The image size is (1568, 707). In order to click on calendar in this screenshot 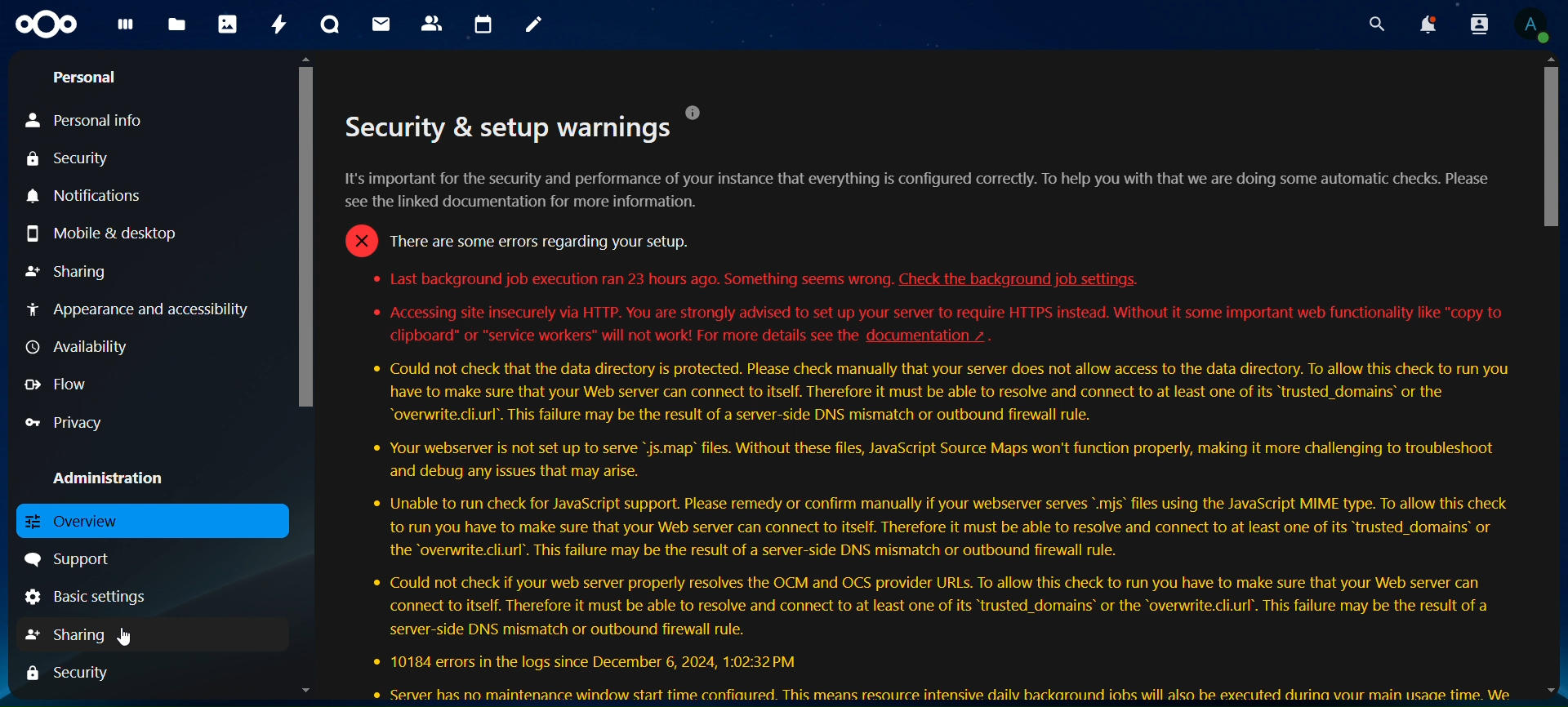, I will do `click(482, 23)`.